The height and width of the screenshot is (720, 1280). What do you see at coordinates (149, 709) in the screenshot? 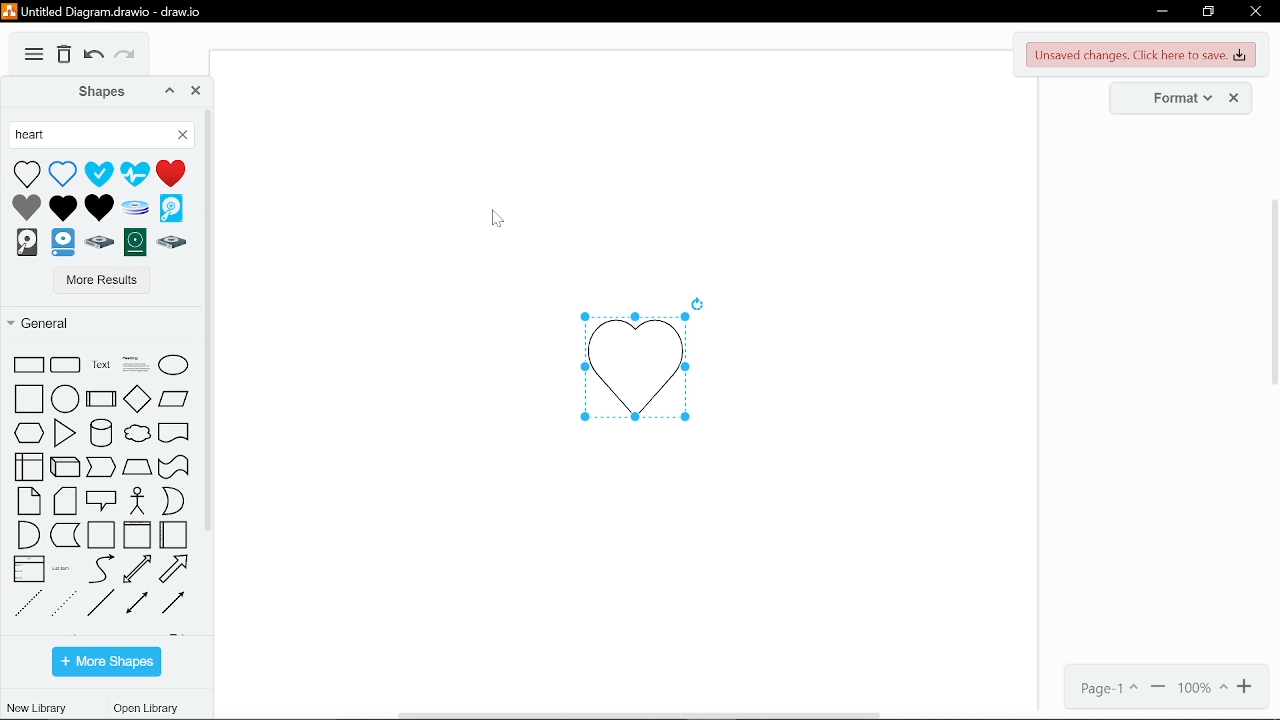
I see `open library` at bounding box center [149, 709].